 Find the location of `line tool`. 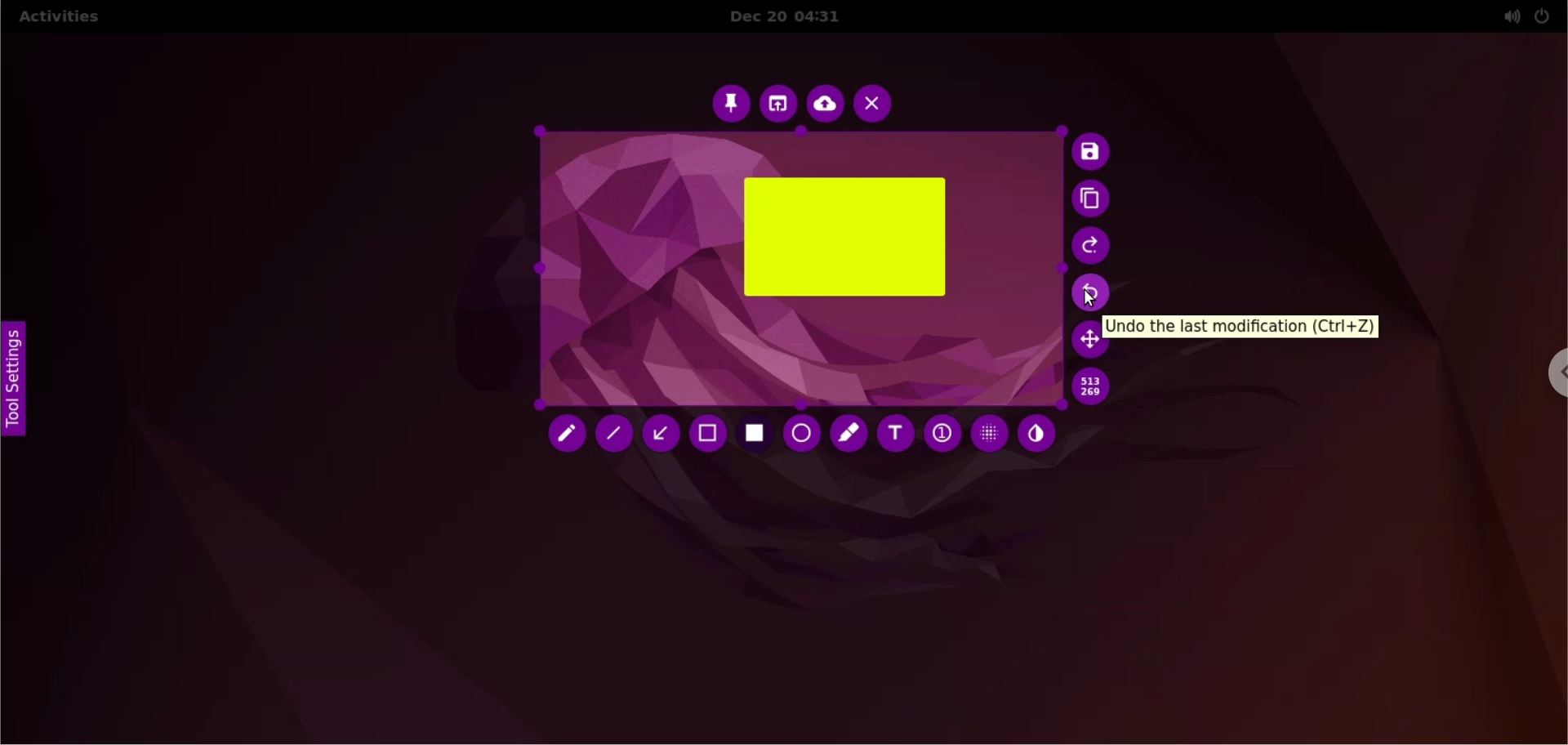

line tool is located at coordinates (614, 433).